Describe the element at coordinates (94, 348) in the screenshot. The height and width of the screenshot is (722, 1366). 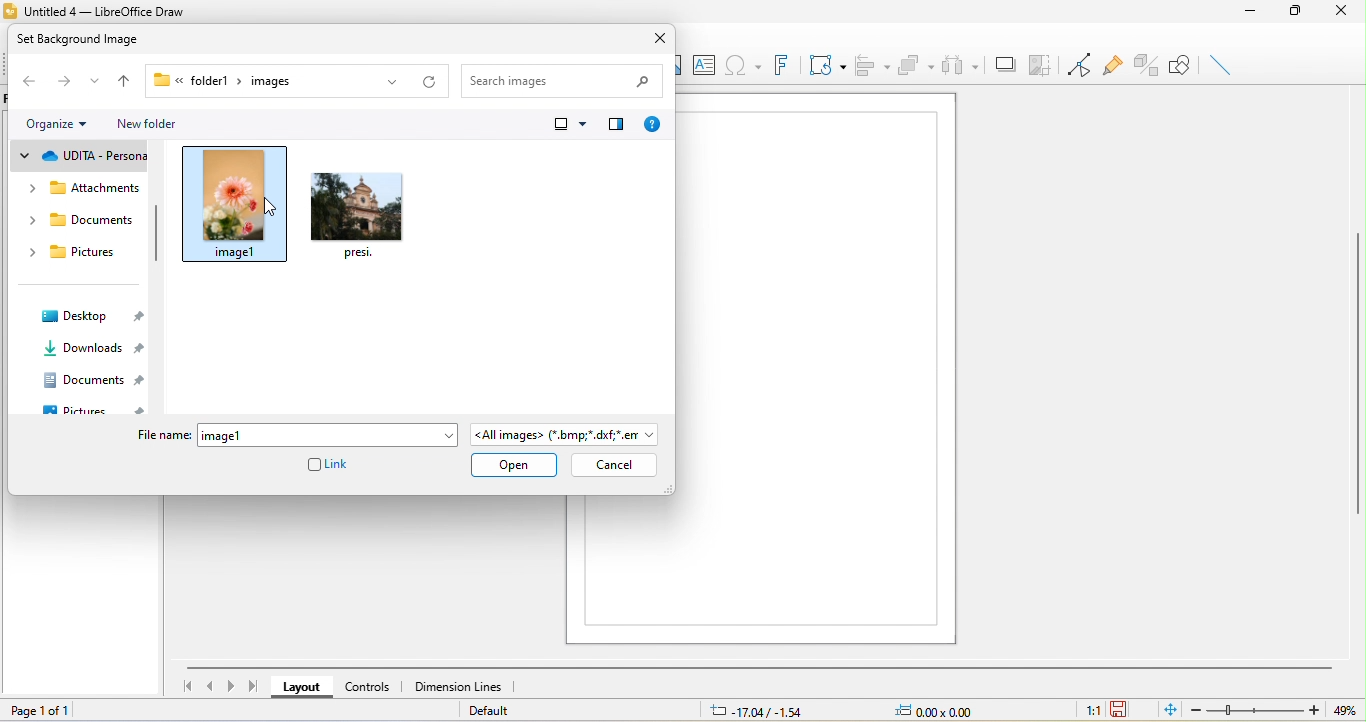
I see `downloads` at that location.